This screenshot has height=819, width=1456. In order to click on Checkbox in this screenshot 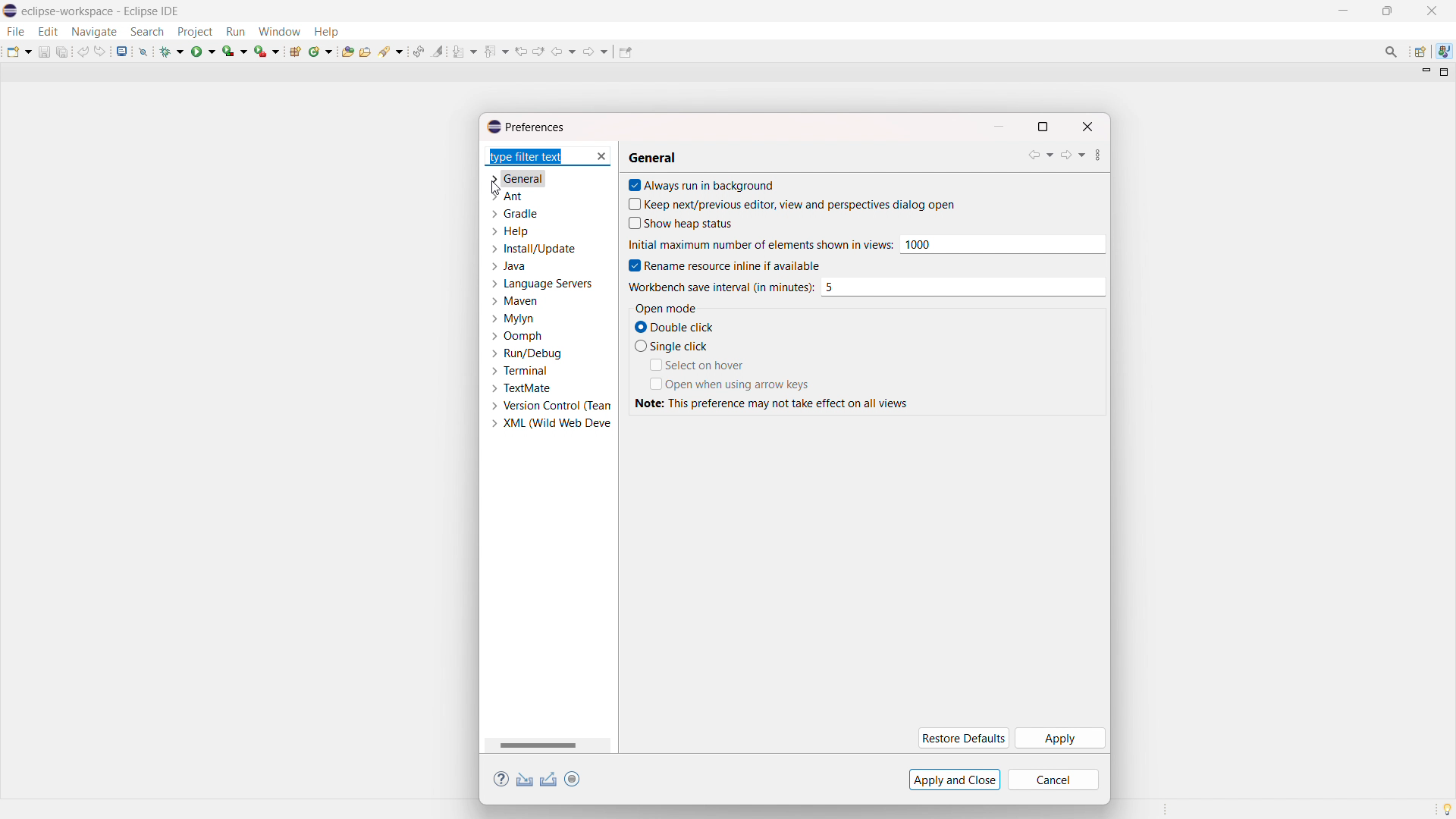, I will do `click(639, 326)`.